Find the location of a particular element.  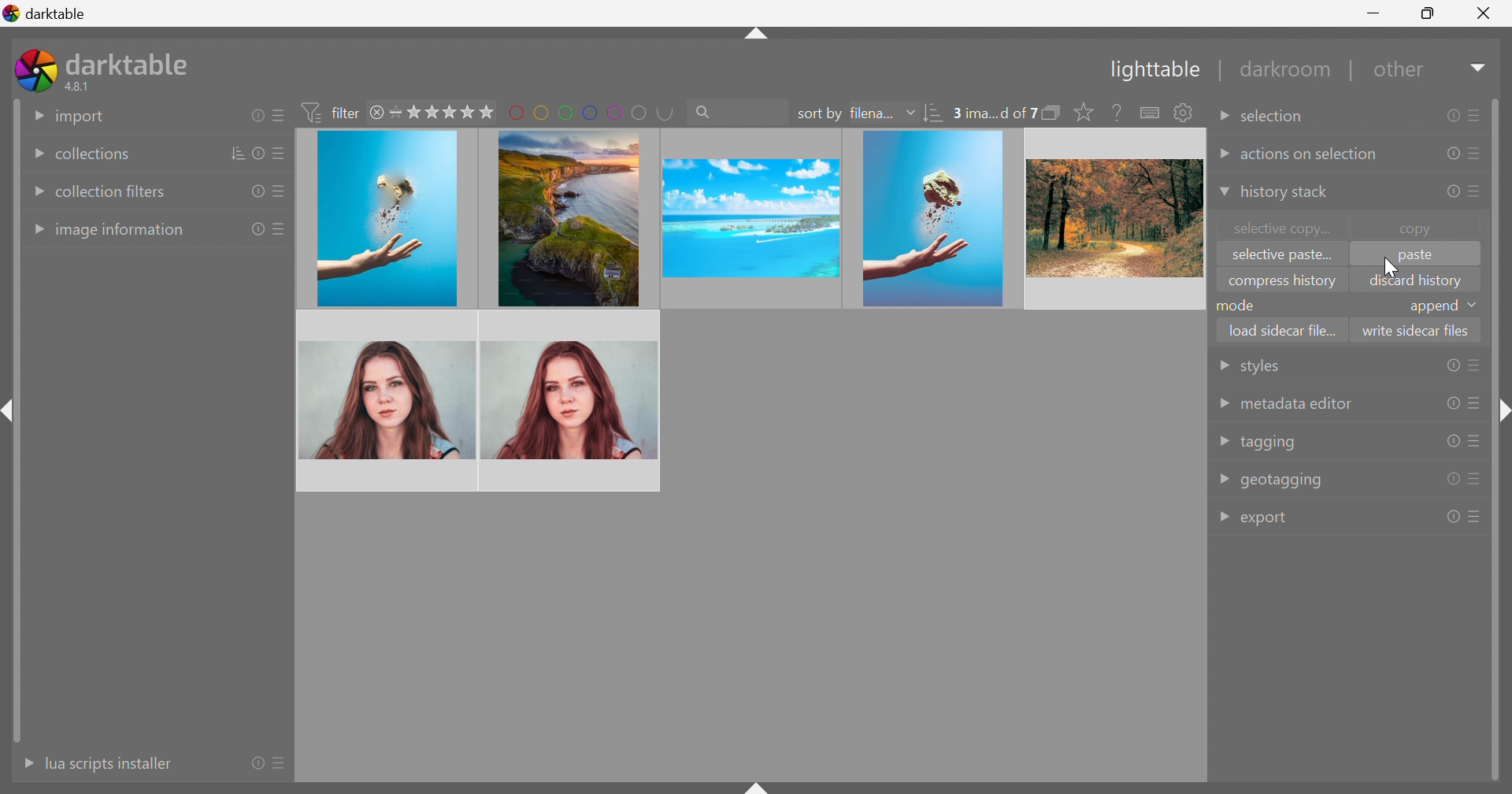

paste is located at coordinates (1414, 258).